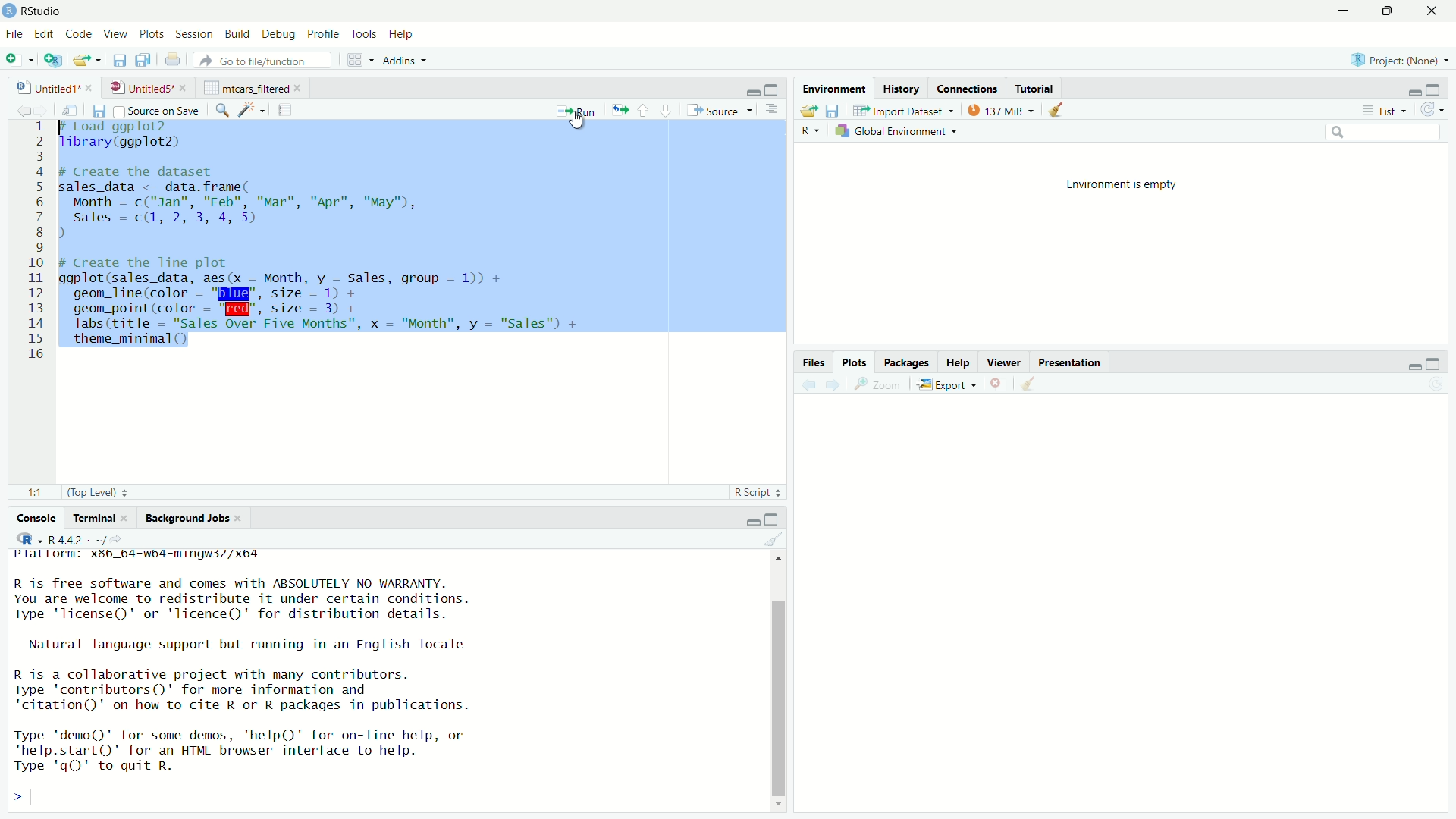  What do you see at coordinates (968, 89) in the screenshot?
I see `Connections` at bounding box center [968, 89].